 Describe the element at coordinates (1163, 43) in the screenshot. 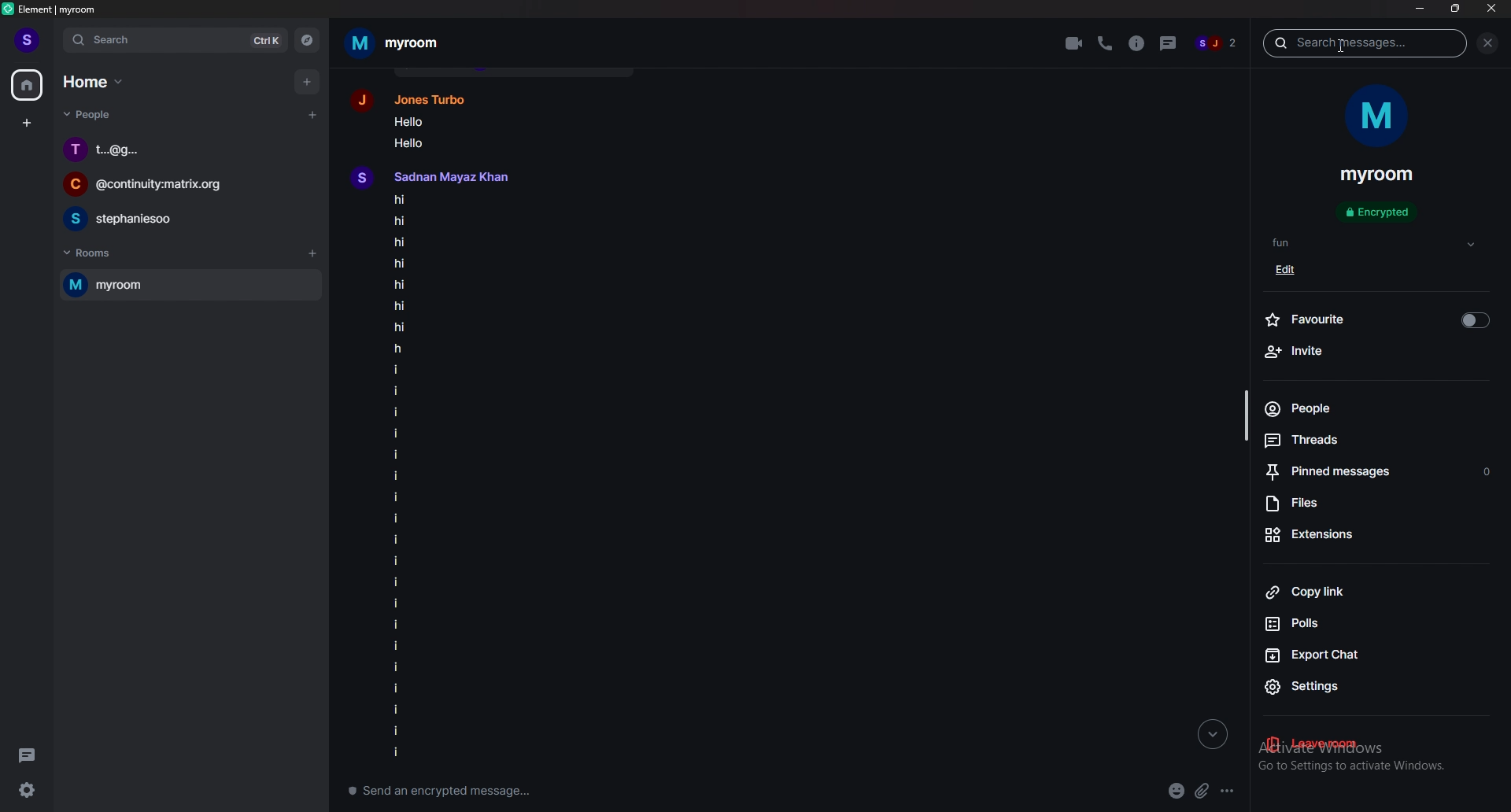

I see `threads` at that location.